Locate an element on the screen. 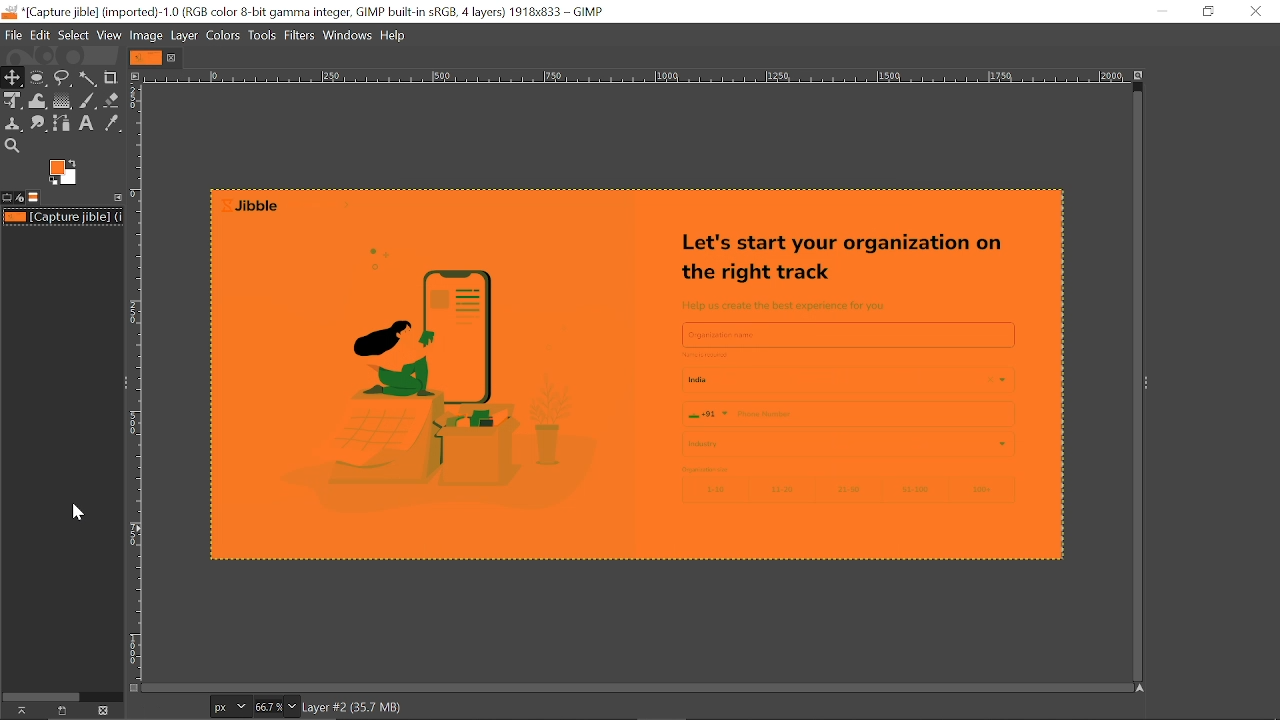 Image resolution: width=1280 pixels, height=720 pixels. Unified transform tool is located at coordinates (12, 101).